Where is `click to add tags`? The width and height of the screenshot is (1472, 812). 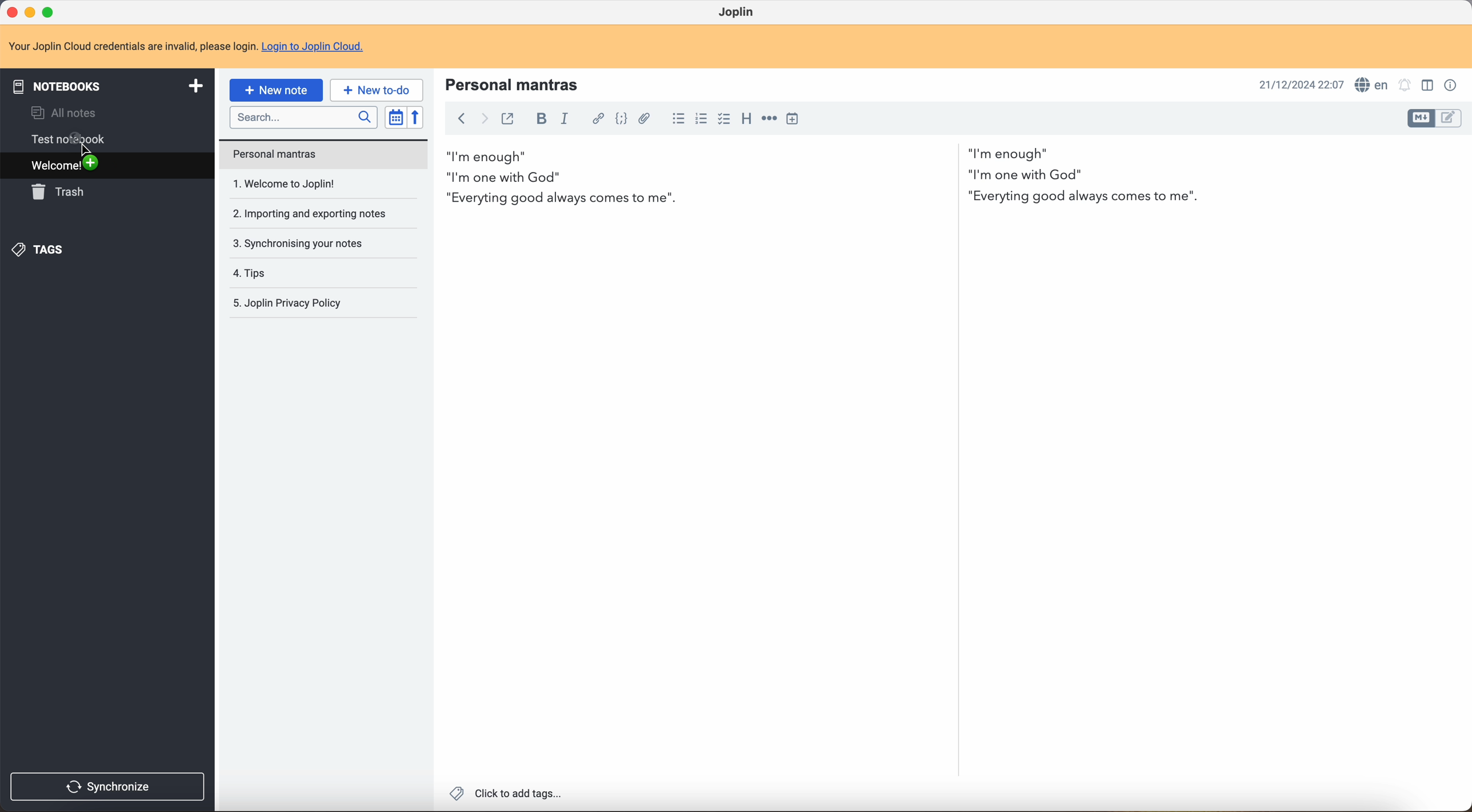 click to add tags is located at coordinates (508, 795).